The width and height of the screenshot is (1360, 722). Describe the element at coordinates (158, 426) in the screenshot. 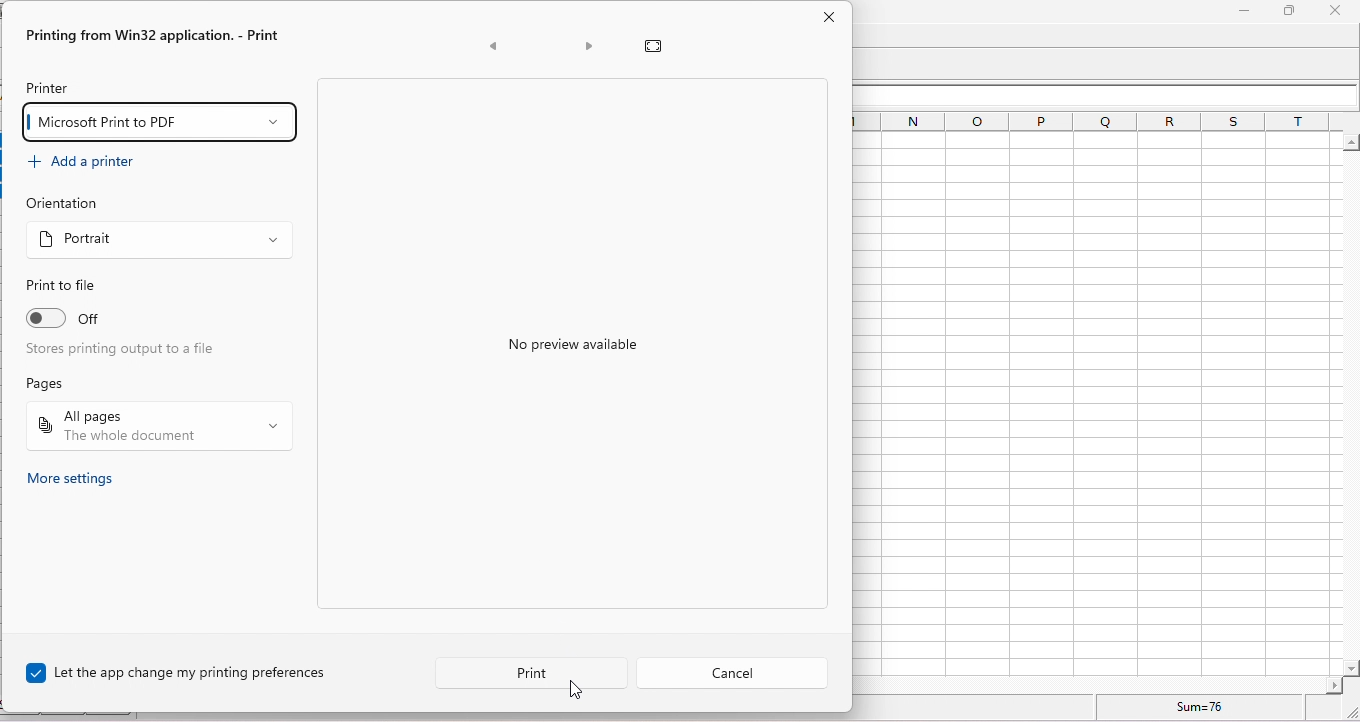

I see `all pages` at that location.